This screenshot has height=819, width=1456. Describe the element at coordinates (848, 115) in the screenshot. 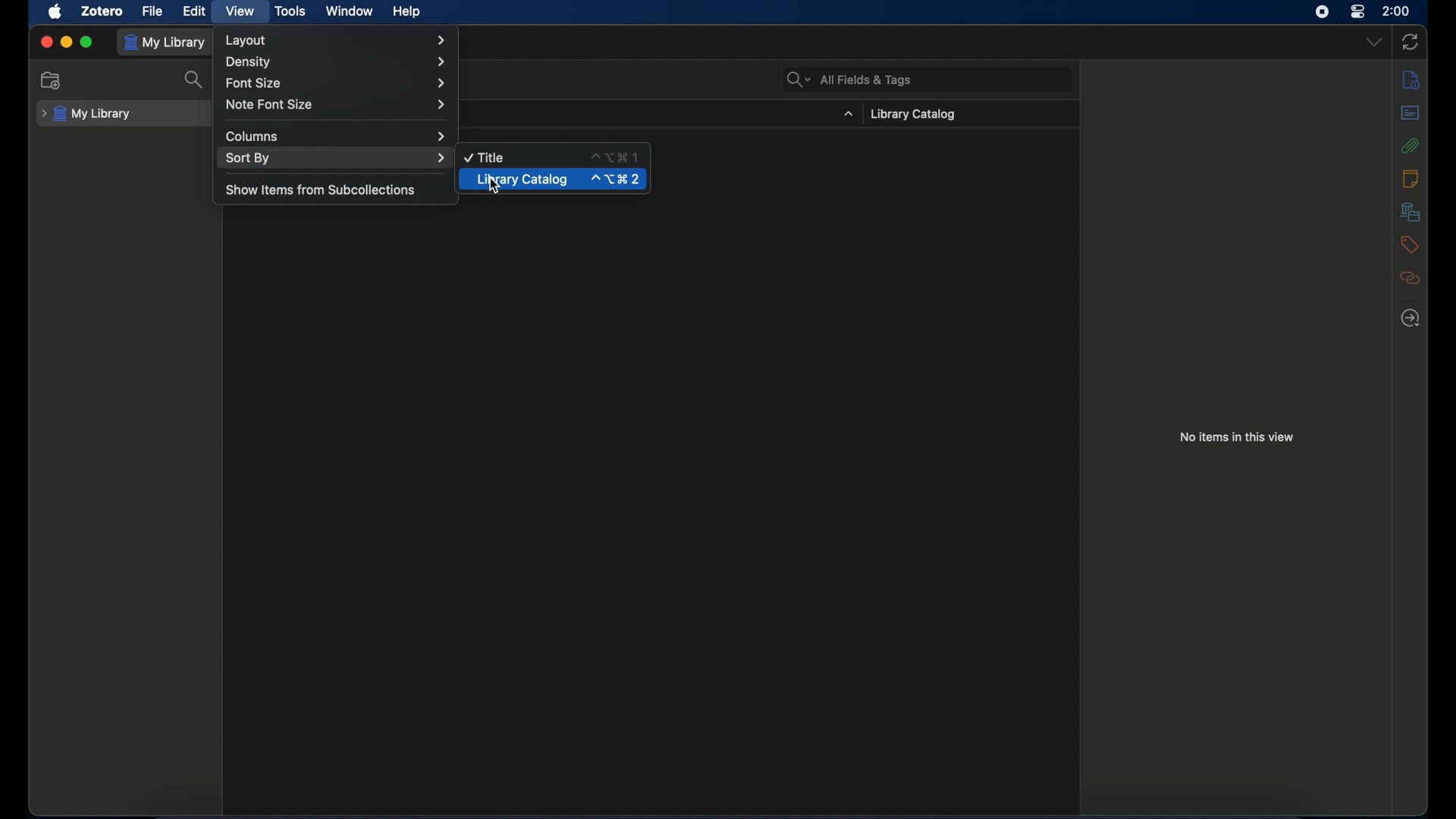

I see `dropdown` at that location.